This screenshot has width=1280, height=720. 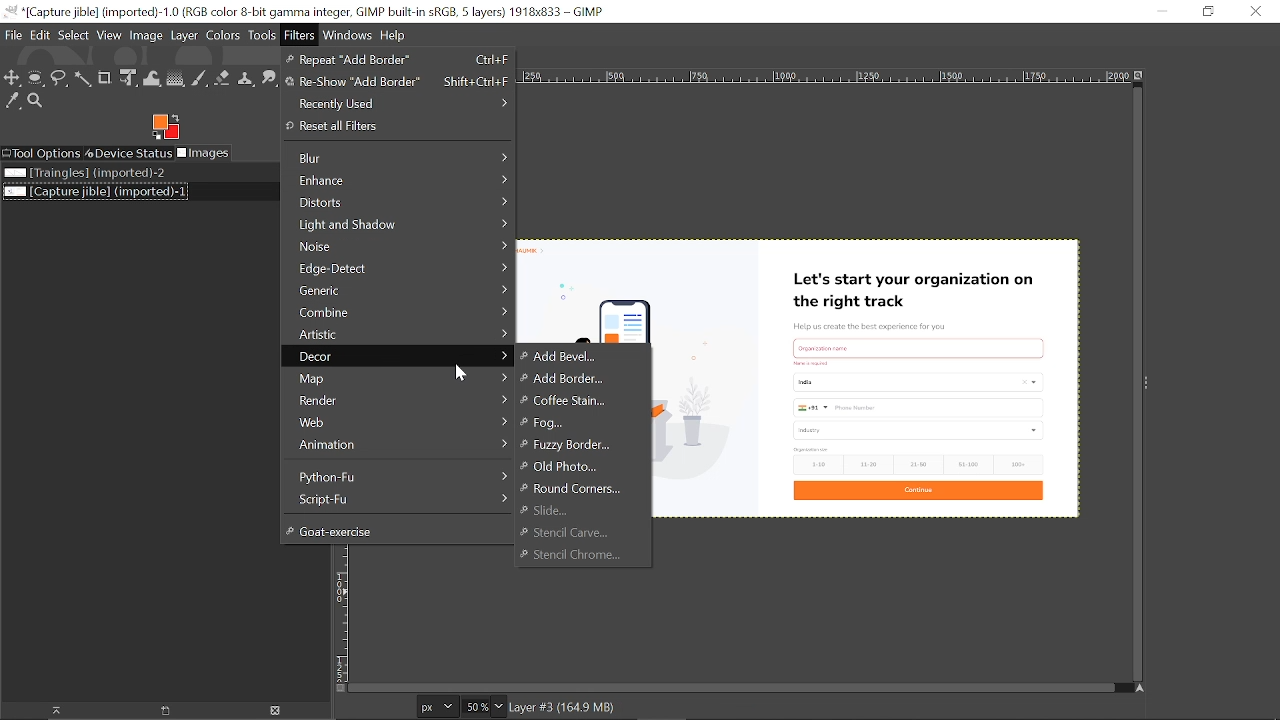 I want to click on Free select tool, so click(x=61, y=79).